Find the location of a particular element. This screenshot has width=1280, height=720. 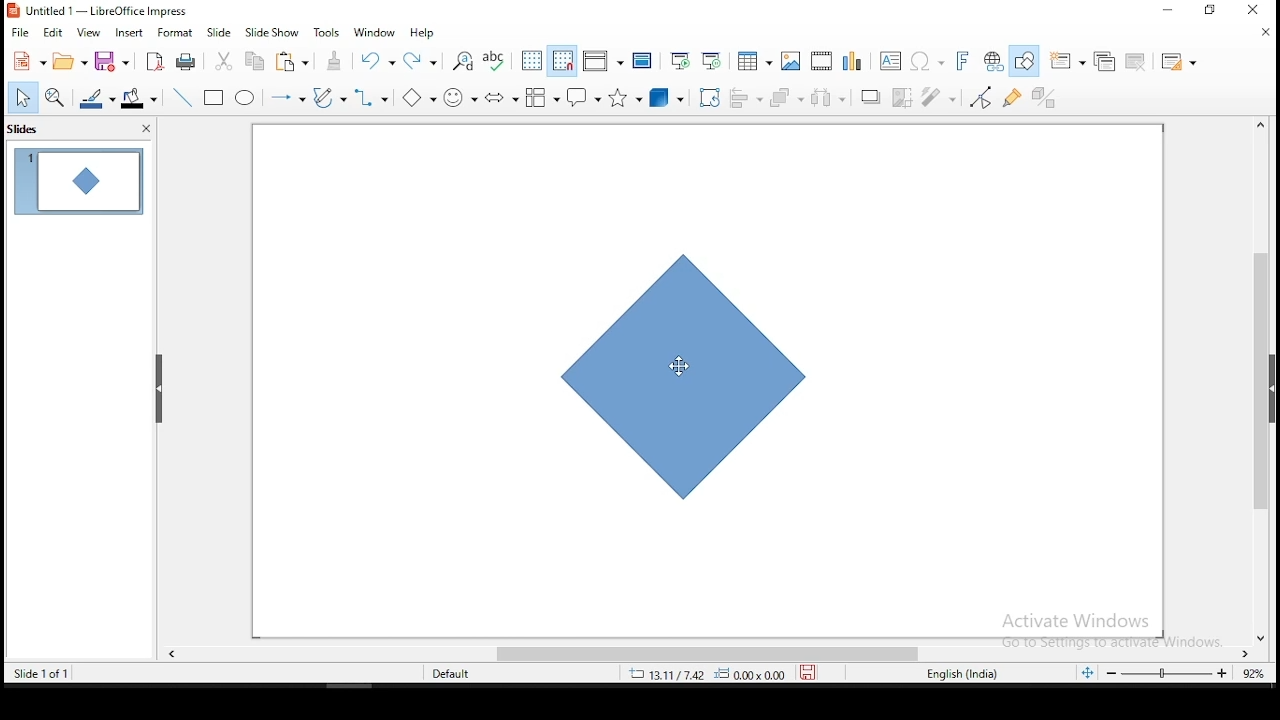

block arrows is located at coordinates (502, 99).